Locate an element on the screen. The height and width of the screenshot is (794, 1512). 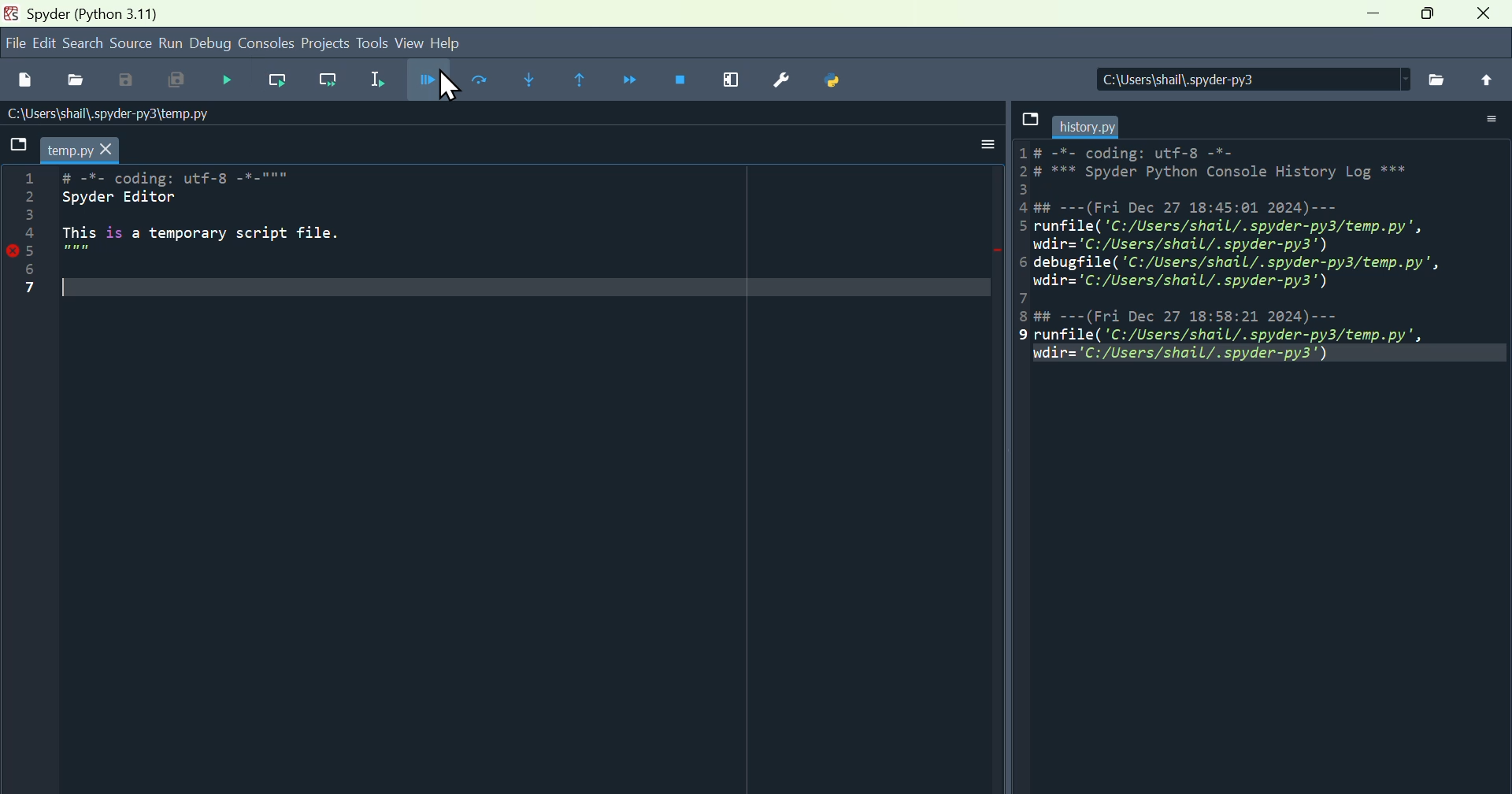
file is located at coordinates (1030, 125).